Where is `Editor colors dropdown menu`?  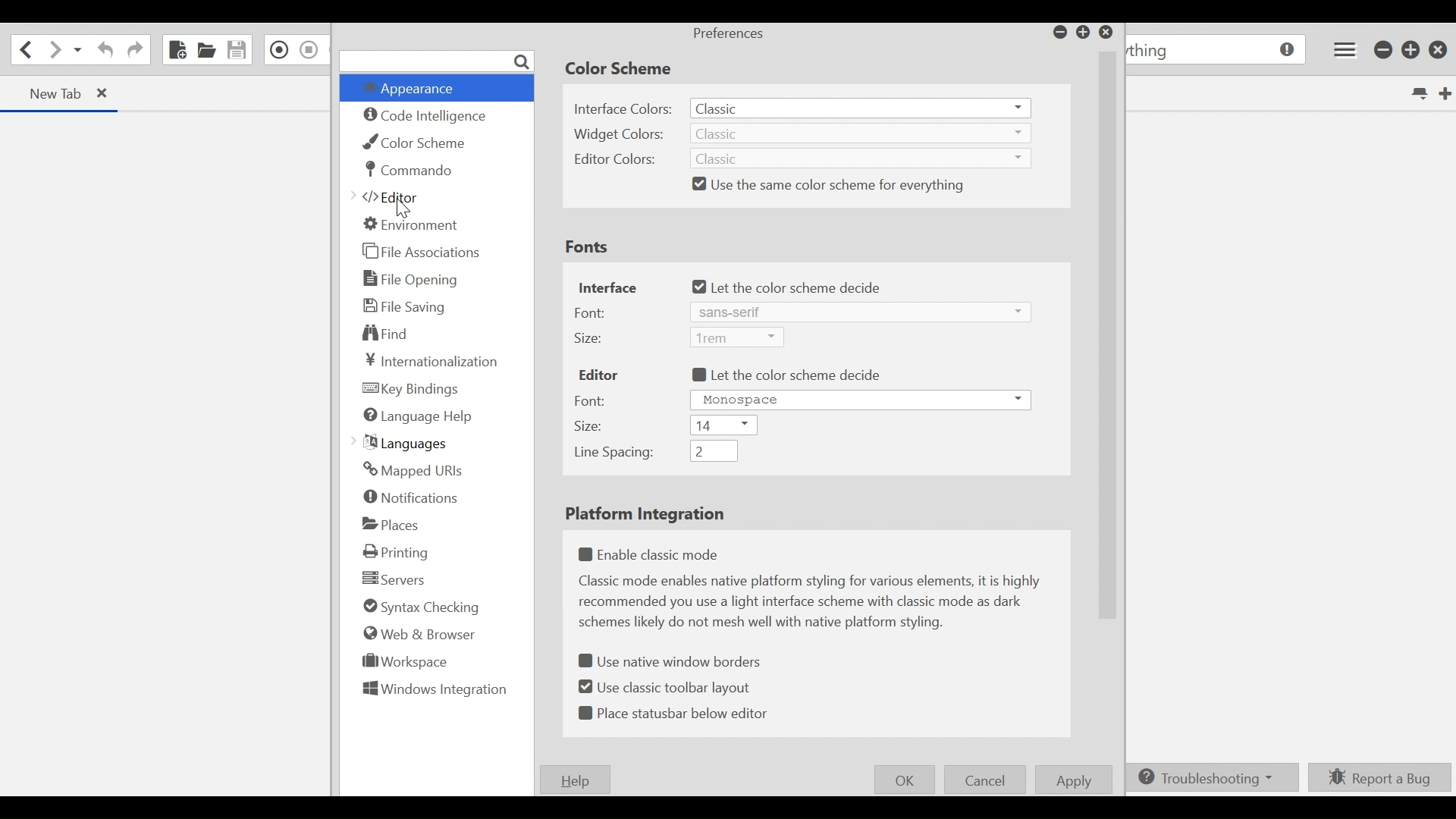
Editor colors dropdown menu is located at coordinates (858, 158).